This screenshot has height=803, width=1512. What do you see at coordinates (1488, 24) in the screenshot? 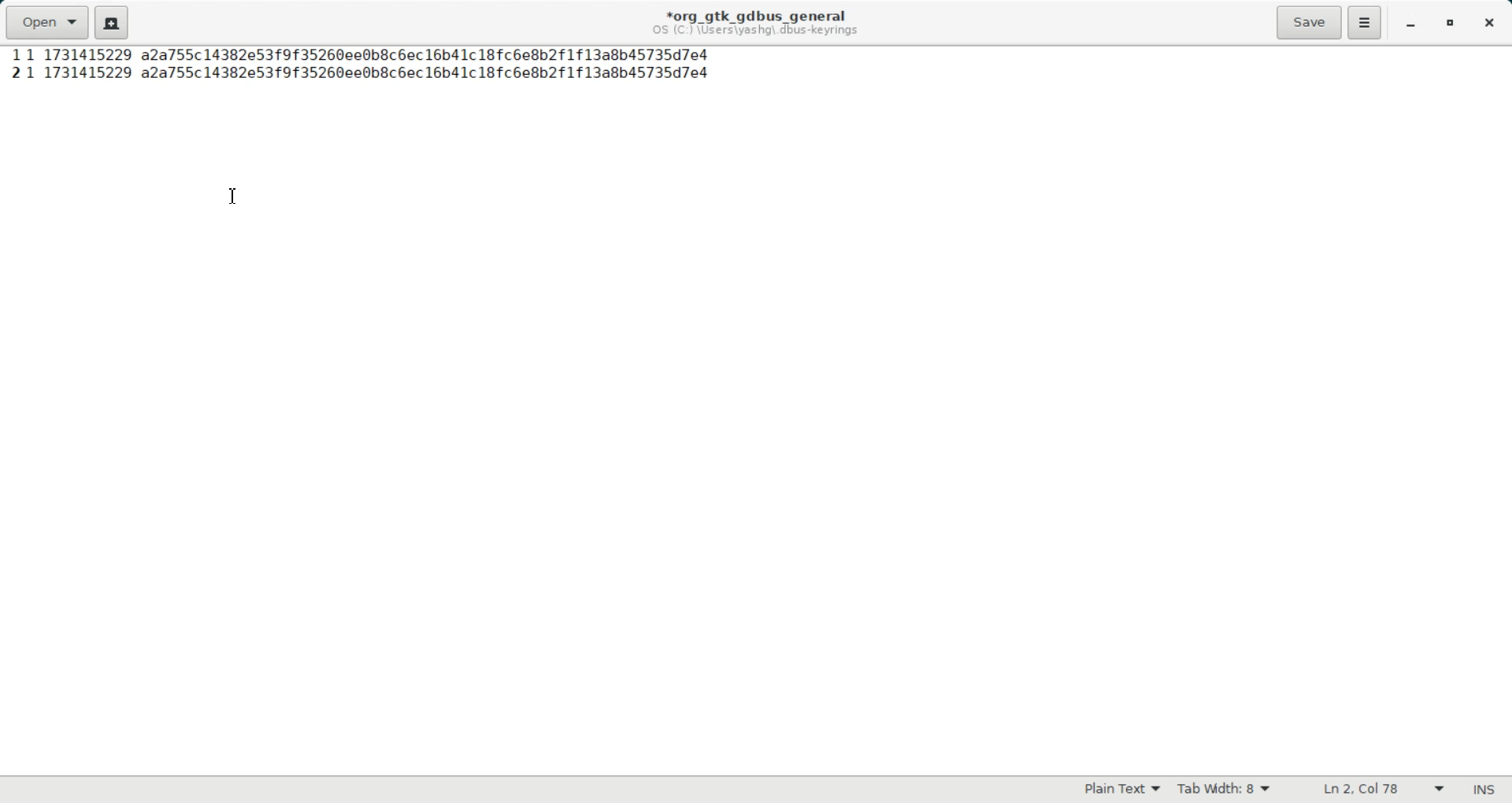
I see `Close` at bounding box center [1488, 24].